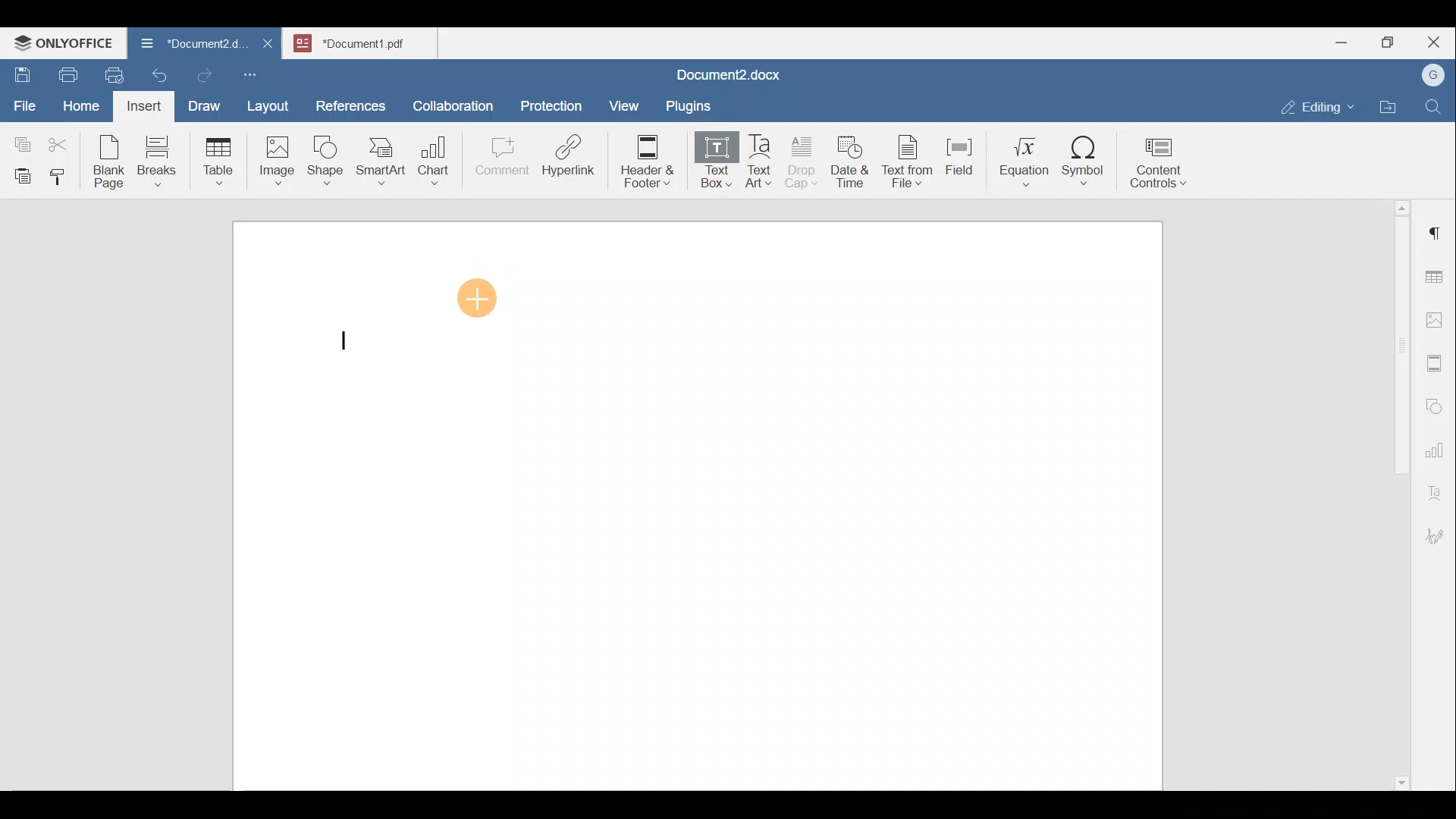 The width and height of the screenshot is (1456, 819). I want to click on “Document pdf, so click(365, 42).